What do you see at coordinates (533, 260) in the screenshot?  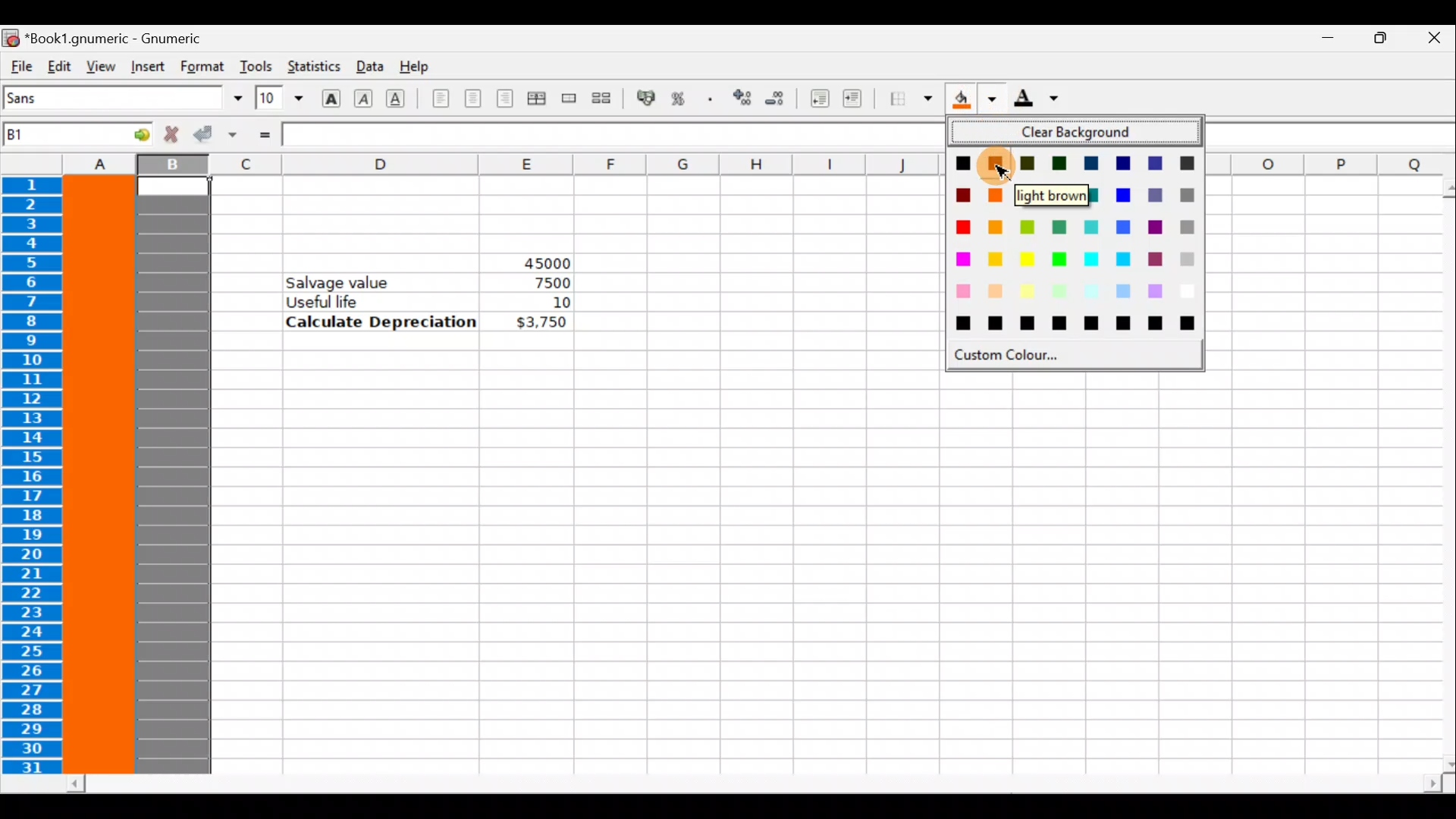 I see `45000` at bounding box center [533, 260].